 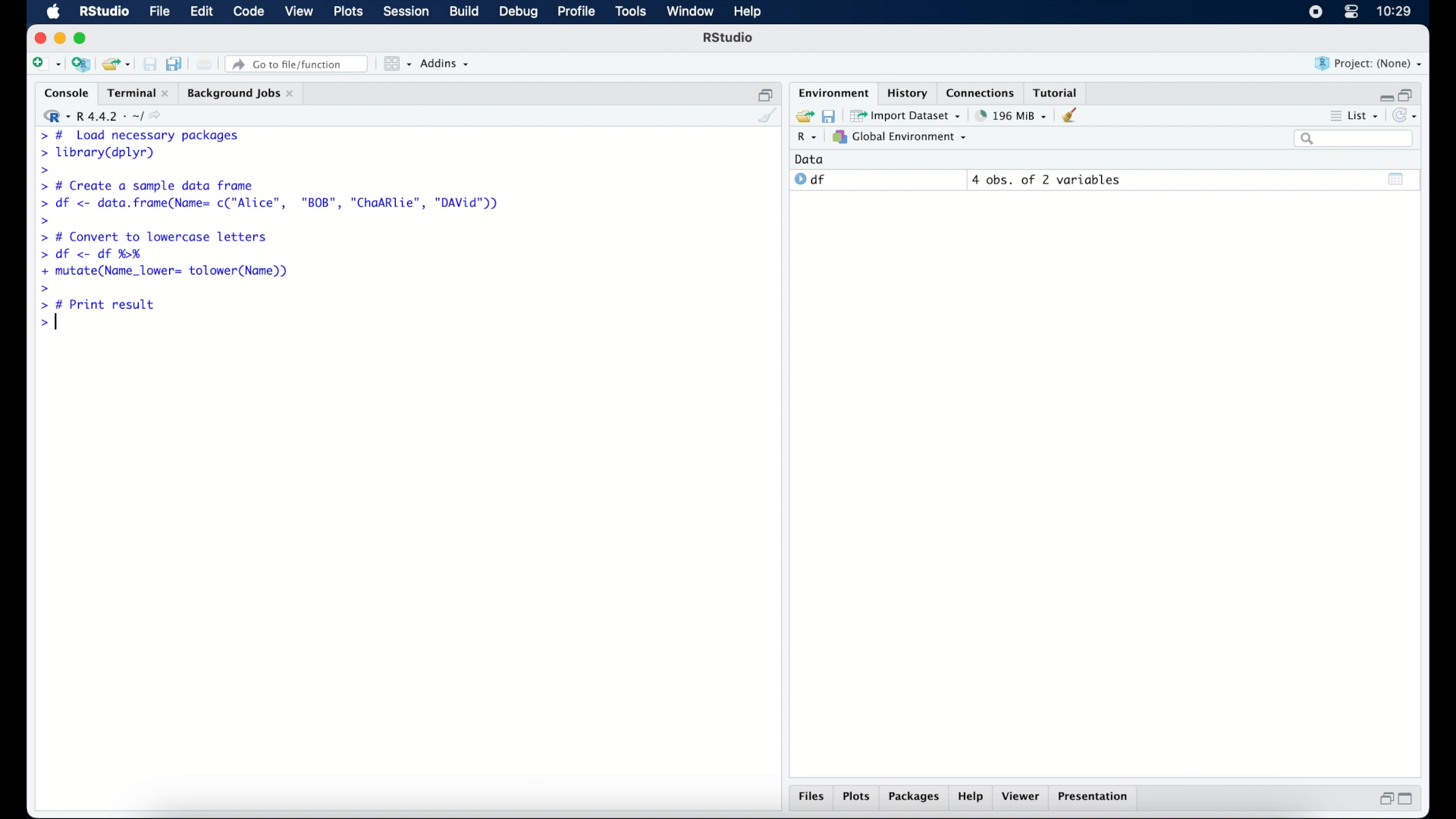 What do you see at coordinates (1407, 117) in the screenshot?
I see `refresh` at bounding box center [1407, 117].